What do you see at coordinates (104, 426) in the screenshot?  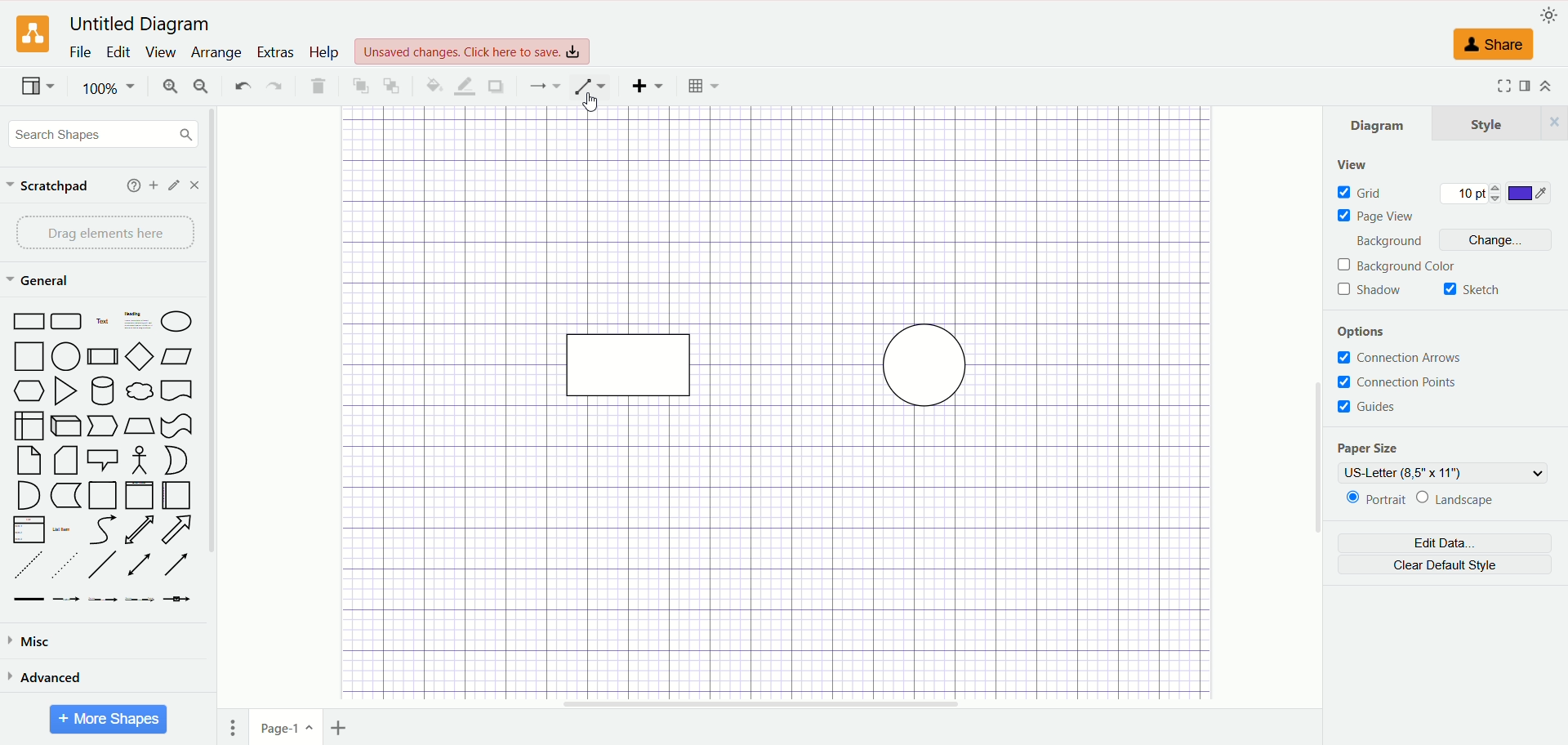 I see `Pointer` at bounding box center [104, 426].